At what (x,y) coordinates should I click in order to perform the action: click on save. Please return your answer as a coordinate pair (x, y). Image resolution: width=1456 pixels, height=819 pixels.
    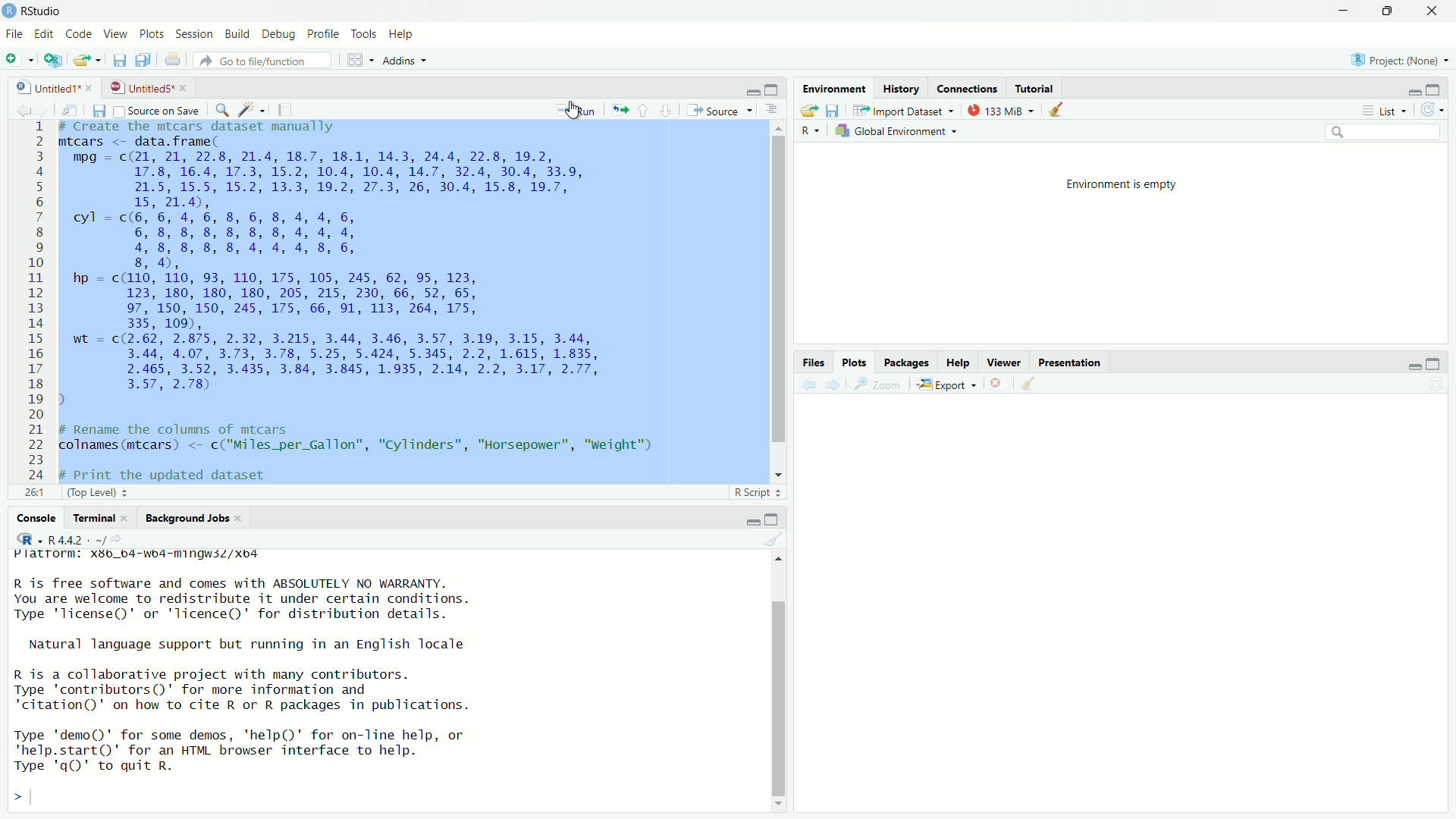
    Looking at the image, I should click on (833, 111).